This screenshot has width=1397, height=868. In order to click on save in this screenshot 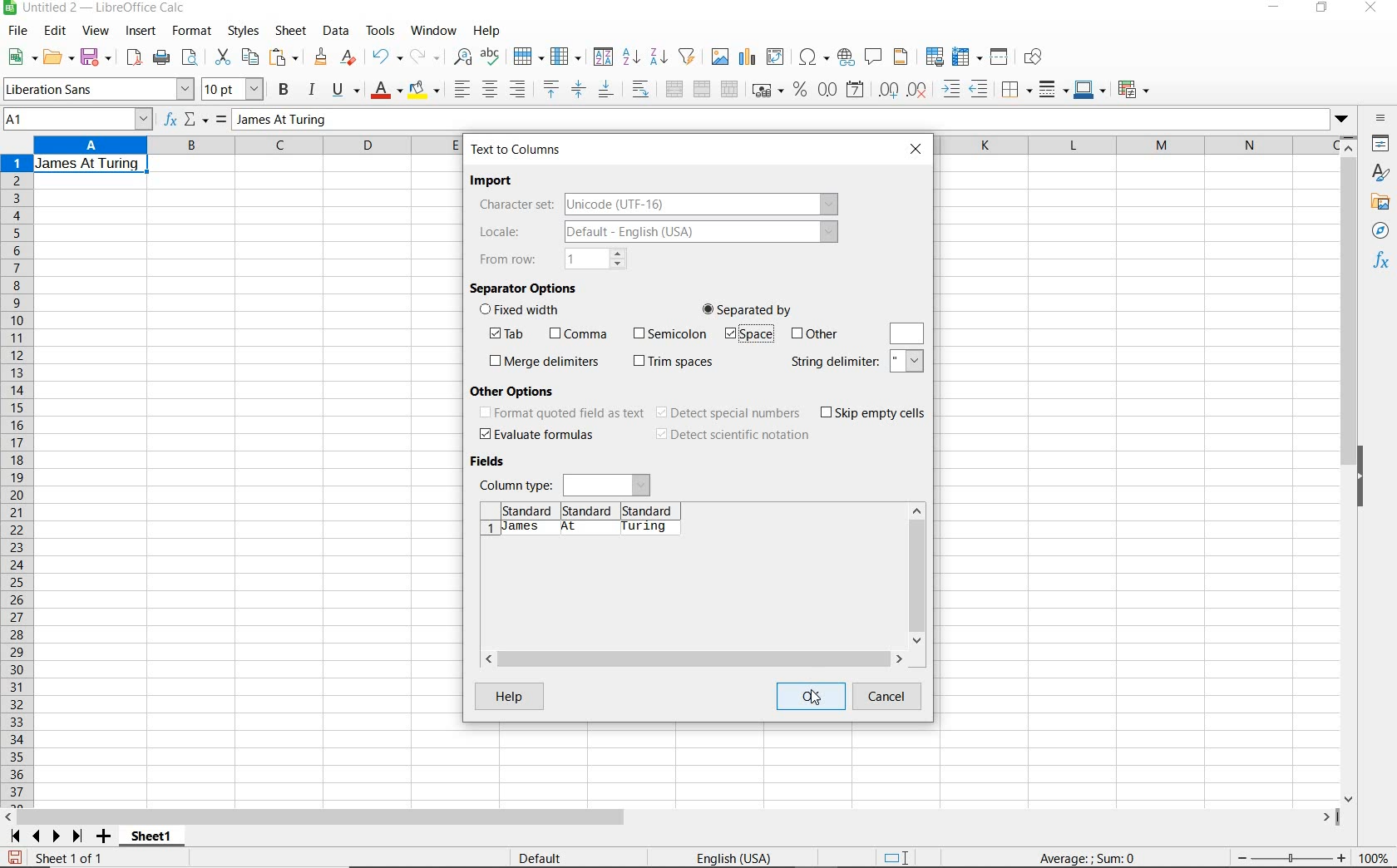, I will do `click(96, 57)`.